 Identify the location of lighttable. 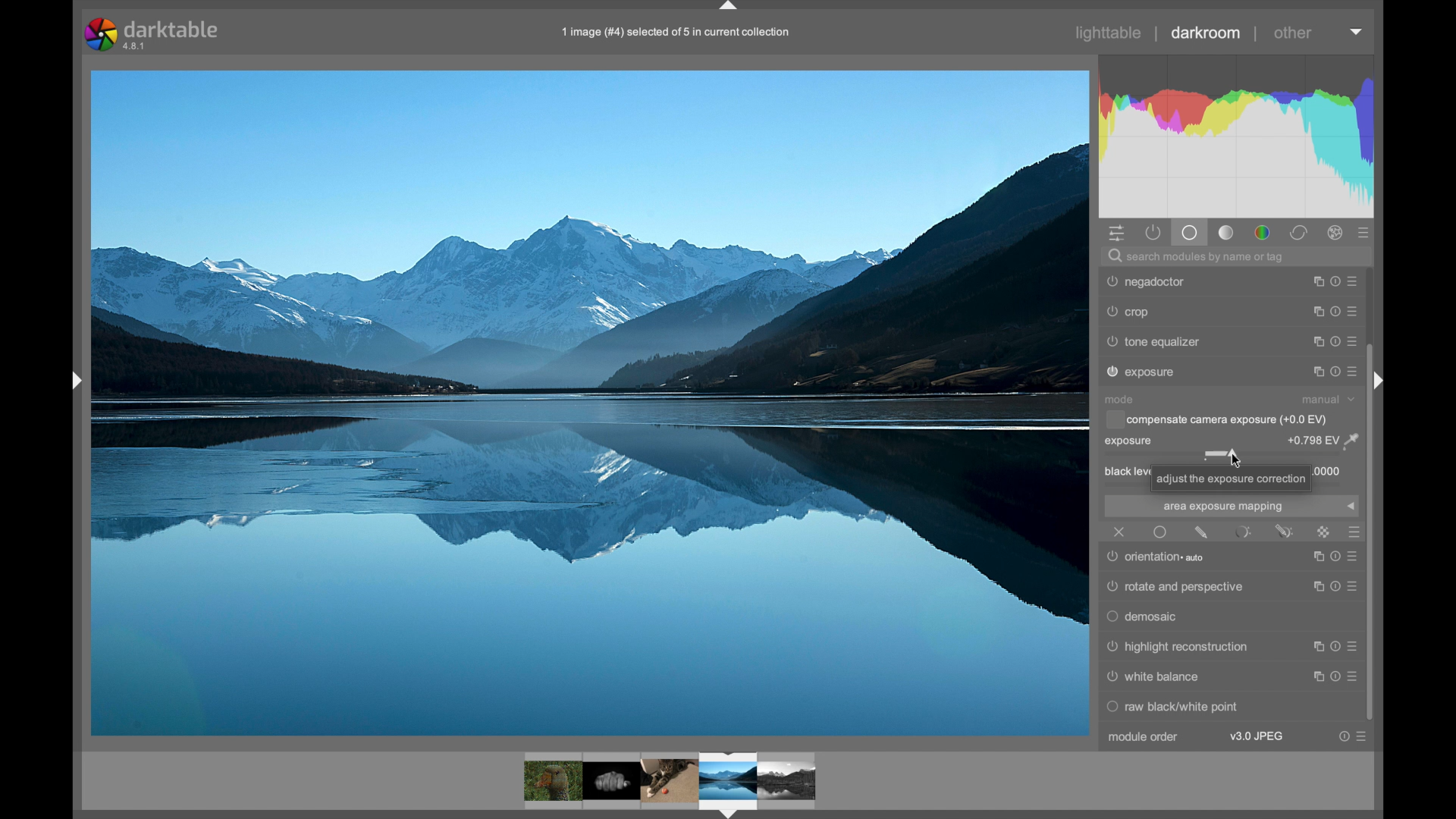
(1109, 33).